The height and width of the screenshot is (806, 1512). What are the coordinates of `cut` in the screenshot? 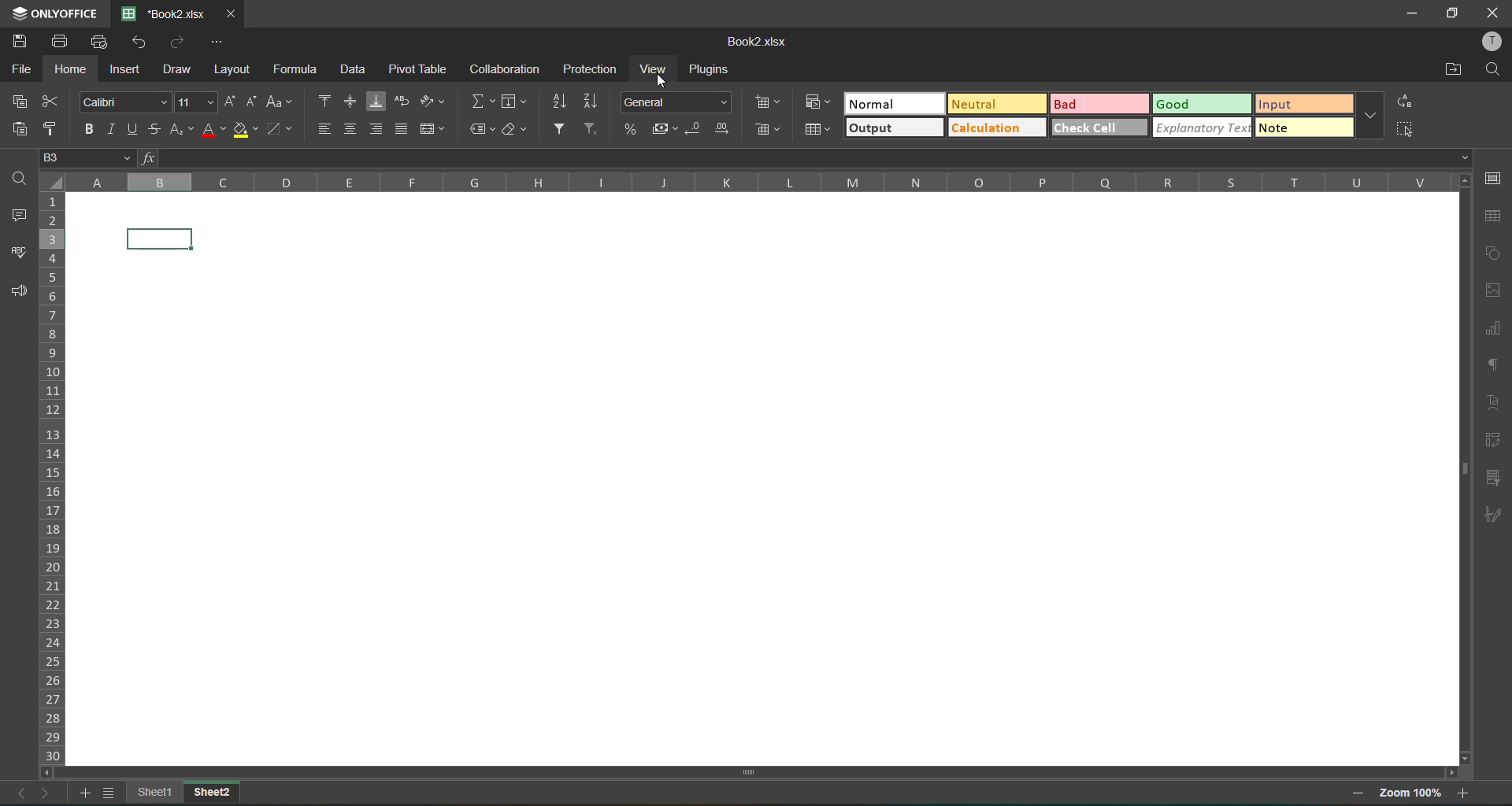 It's located at (55, 102).